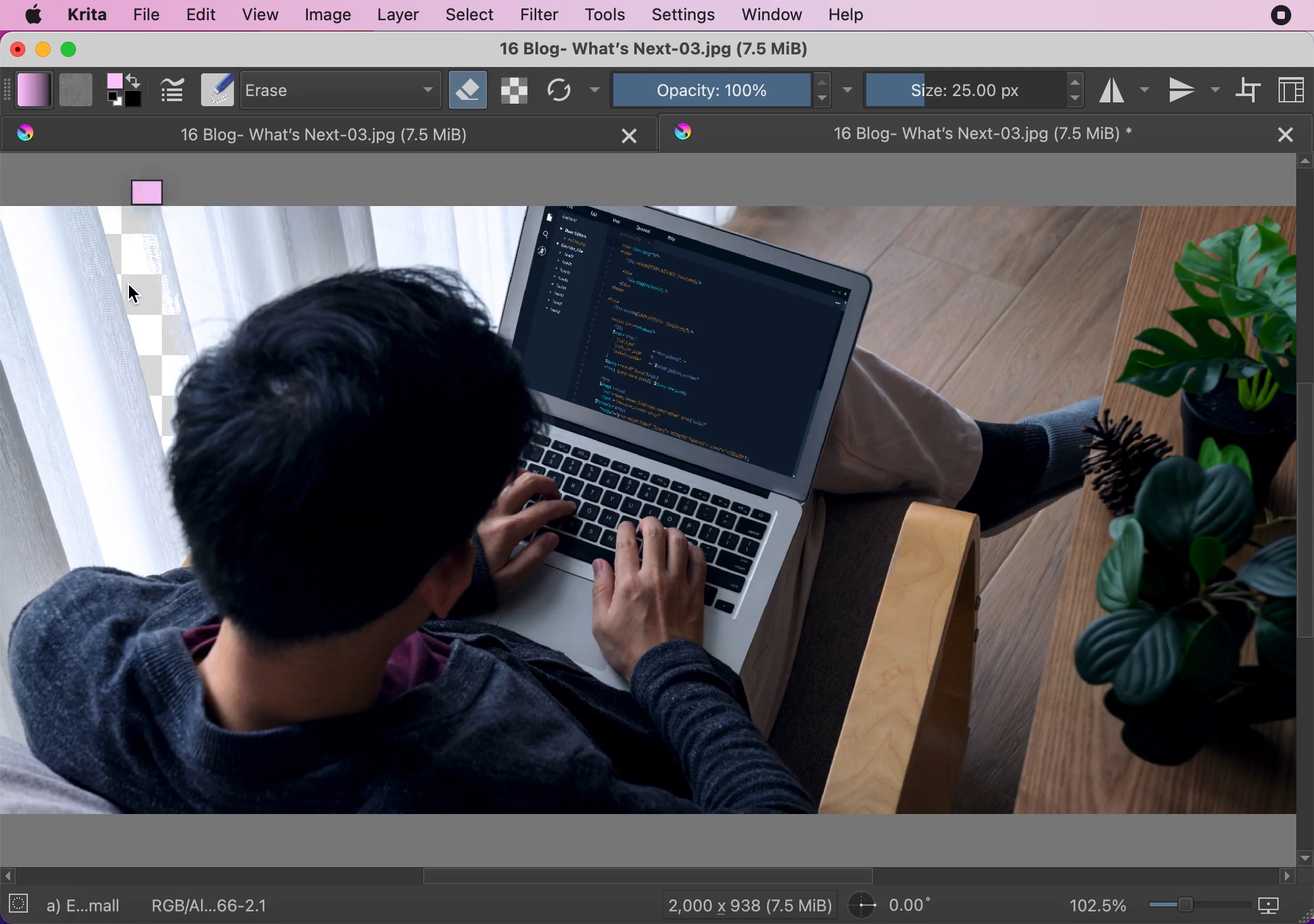 Image resolution: width=1314 pixels, height=924 pixels. Describe the element at coordinates (214, 90) in the screenshot. I see `Notepad` at that location.